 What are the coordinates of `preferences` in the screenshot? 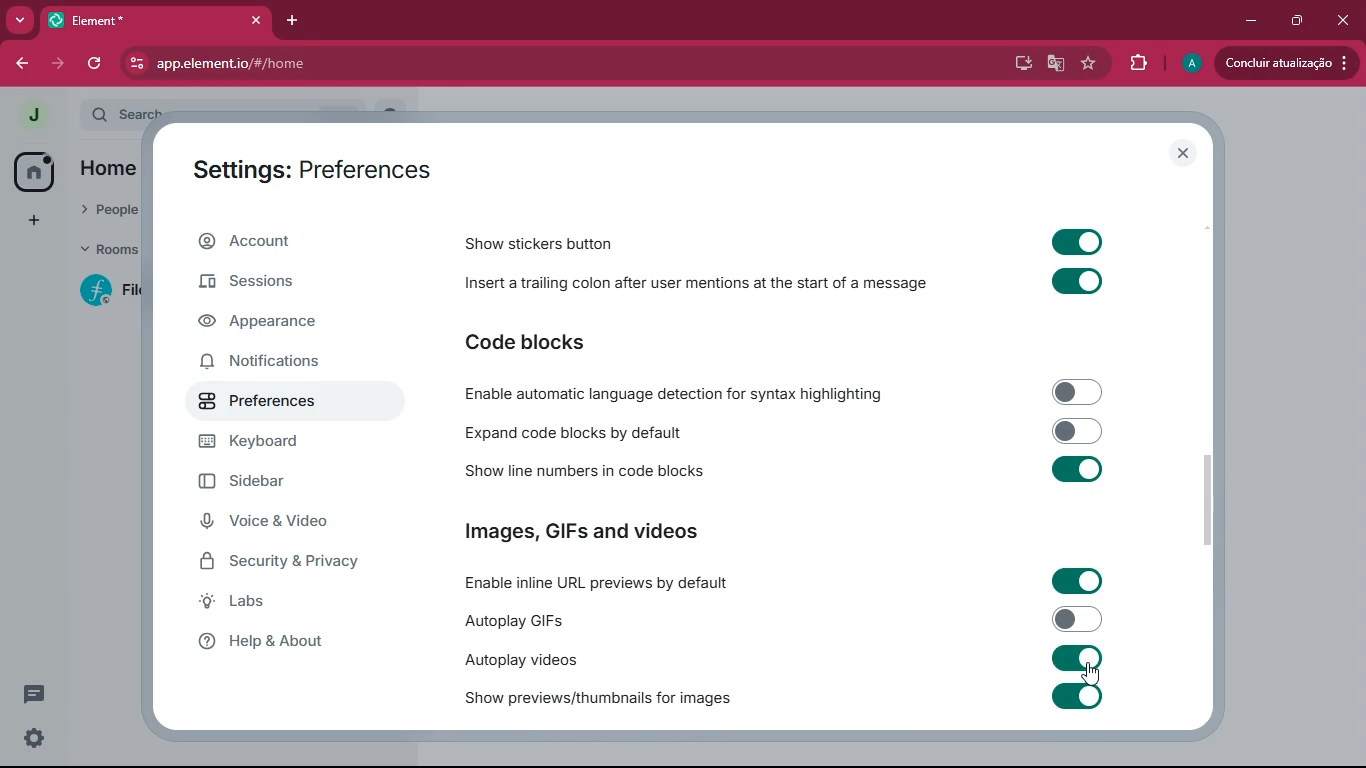 It's located at (280, 406).